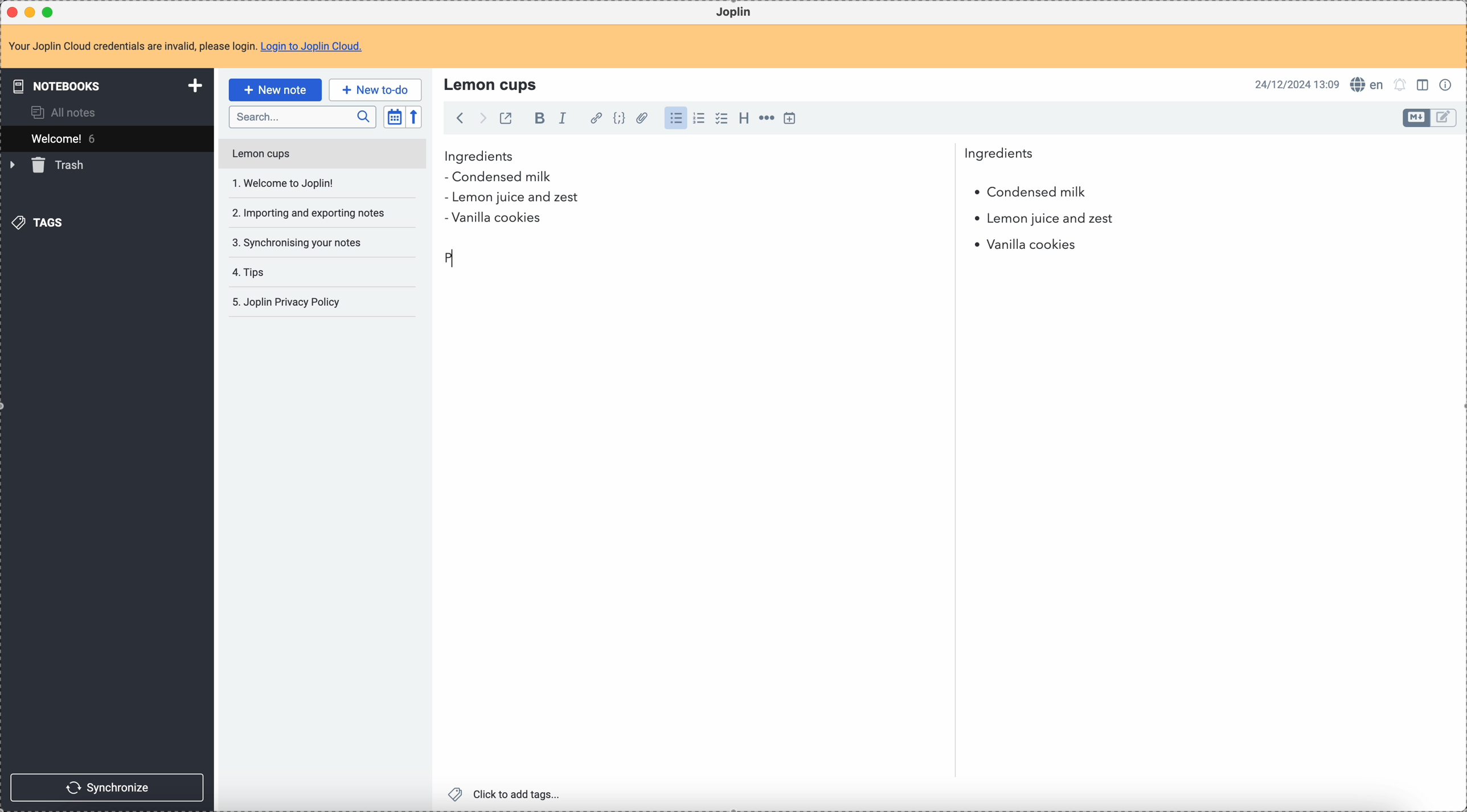 This screenshot has height=812, width=1467. Describe the element at coordinates (619, 119) in the screenshot. I see `code` at that location.